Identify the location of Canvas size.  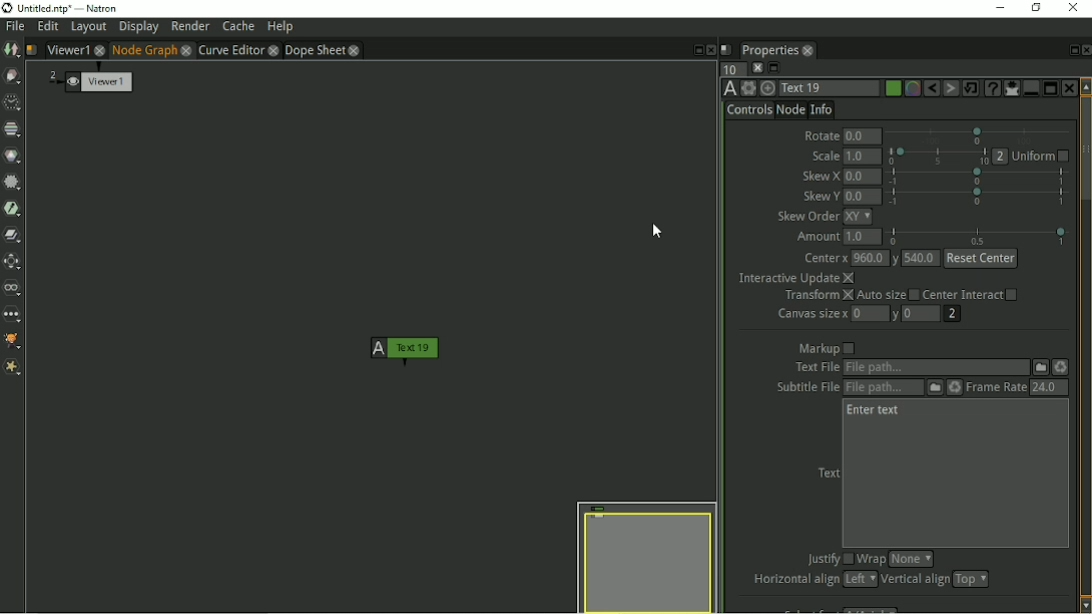
(812, 316).